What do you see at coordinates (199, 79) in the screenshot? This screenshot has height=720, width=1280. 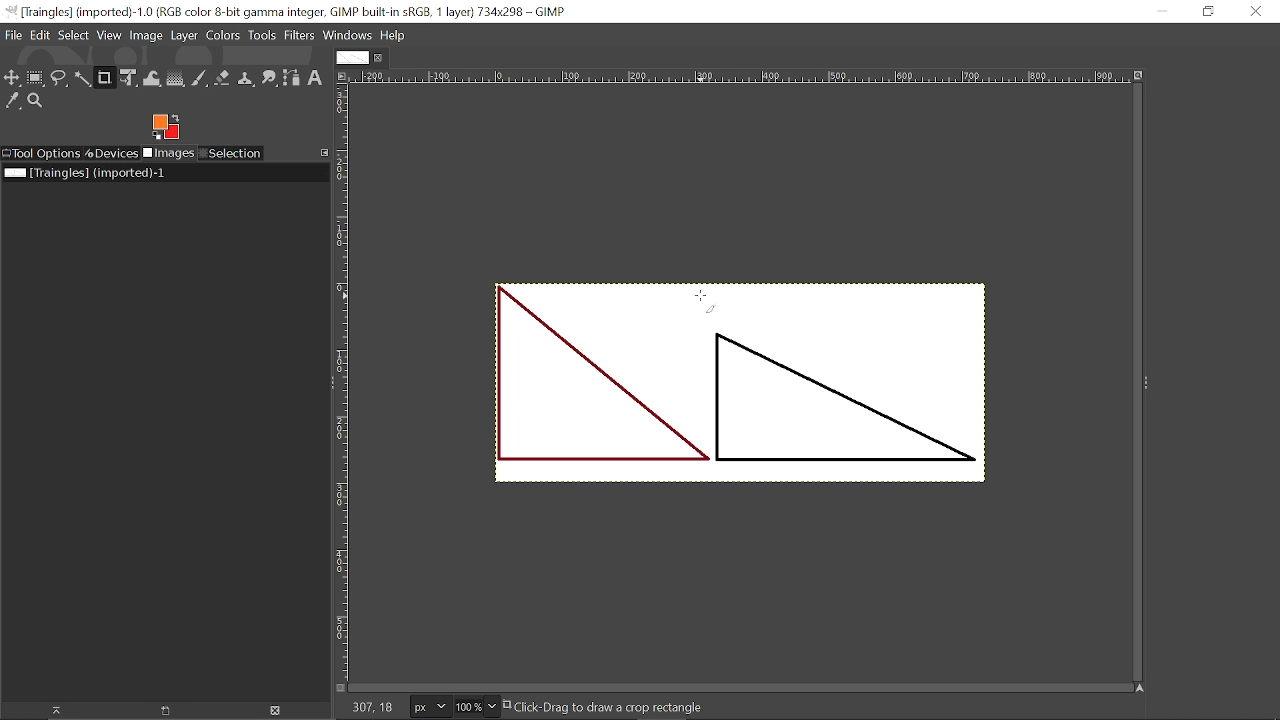 I see `Paintbrush tool` at bounding box center [199, 79].